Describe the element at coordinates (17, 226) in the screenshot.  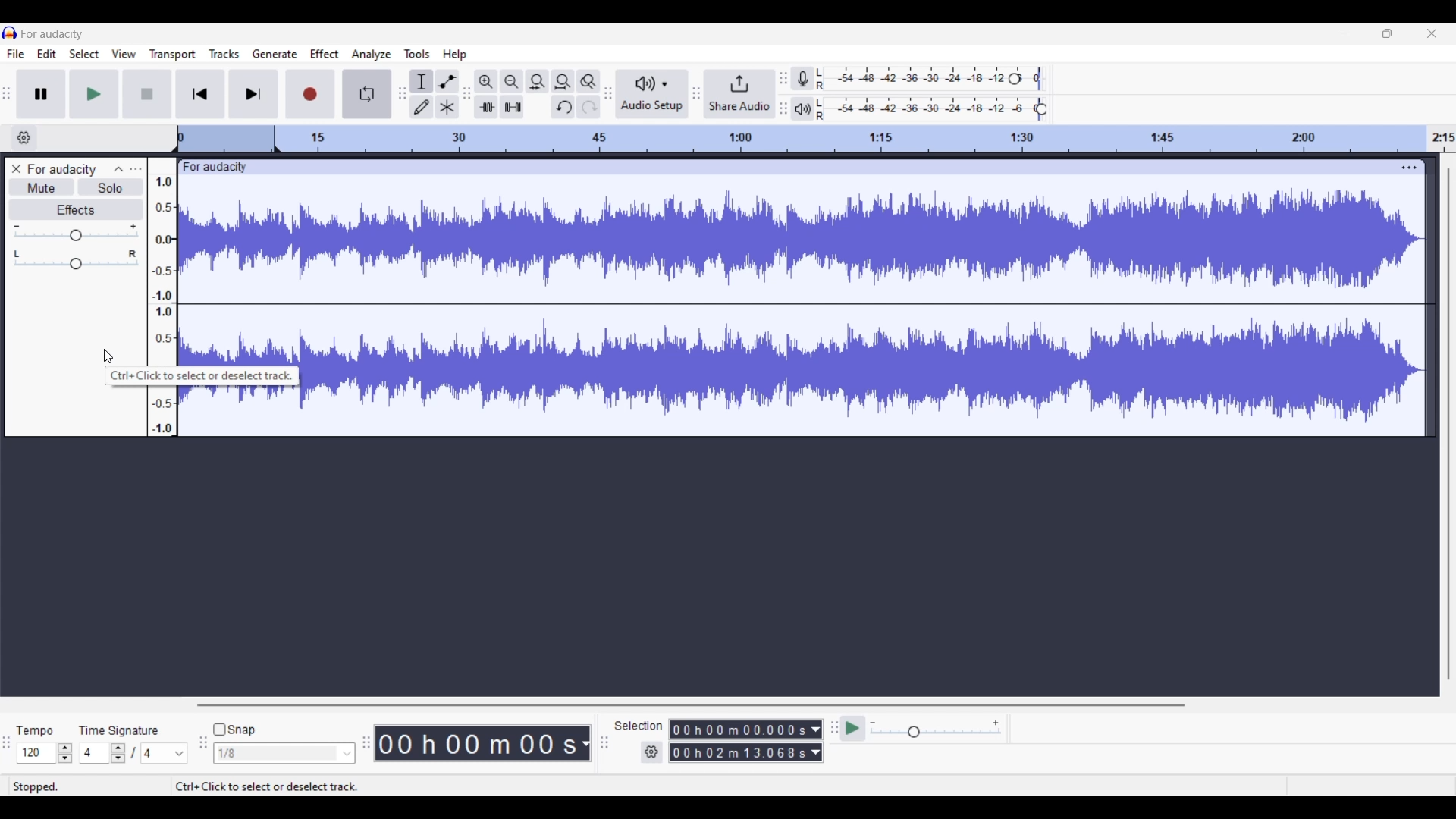
I see `Min. gain` at that location.